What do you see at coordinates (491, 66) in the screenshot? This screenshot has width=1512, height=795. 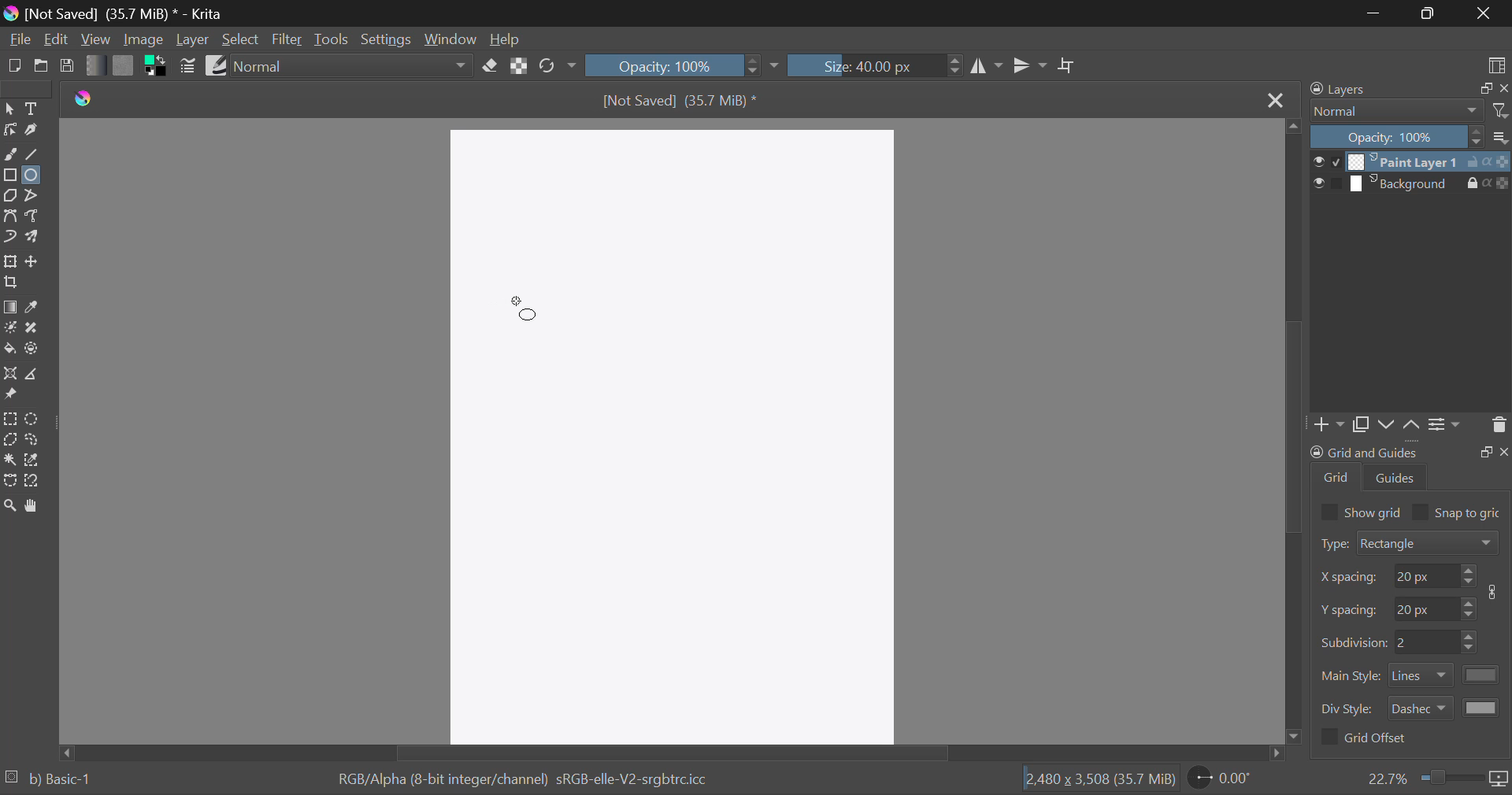 I see `Eraser` at bounding box center [491, 66].